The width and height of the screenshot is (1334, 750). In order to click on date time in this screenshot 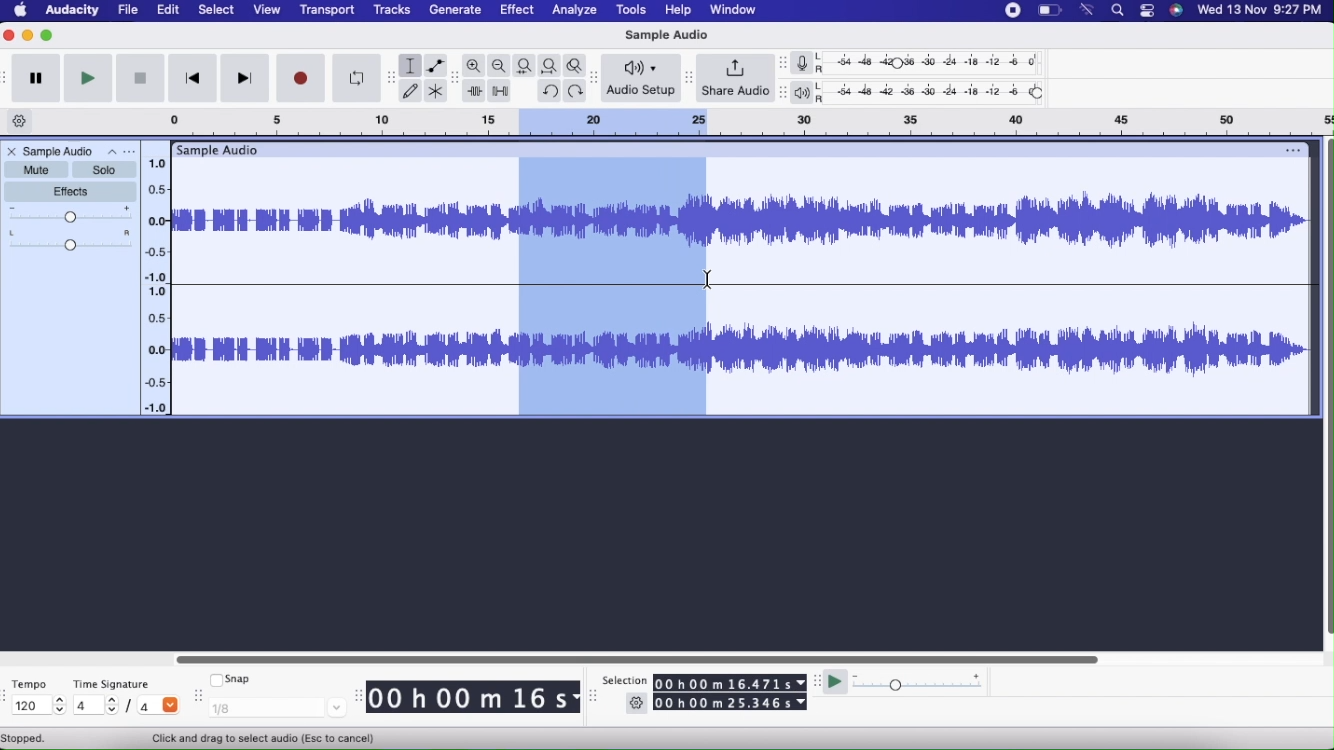, I will do `click(1260, 9)`.